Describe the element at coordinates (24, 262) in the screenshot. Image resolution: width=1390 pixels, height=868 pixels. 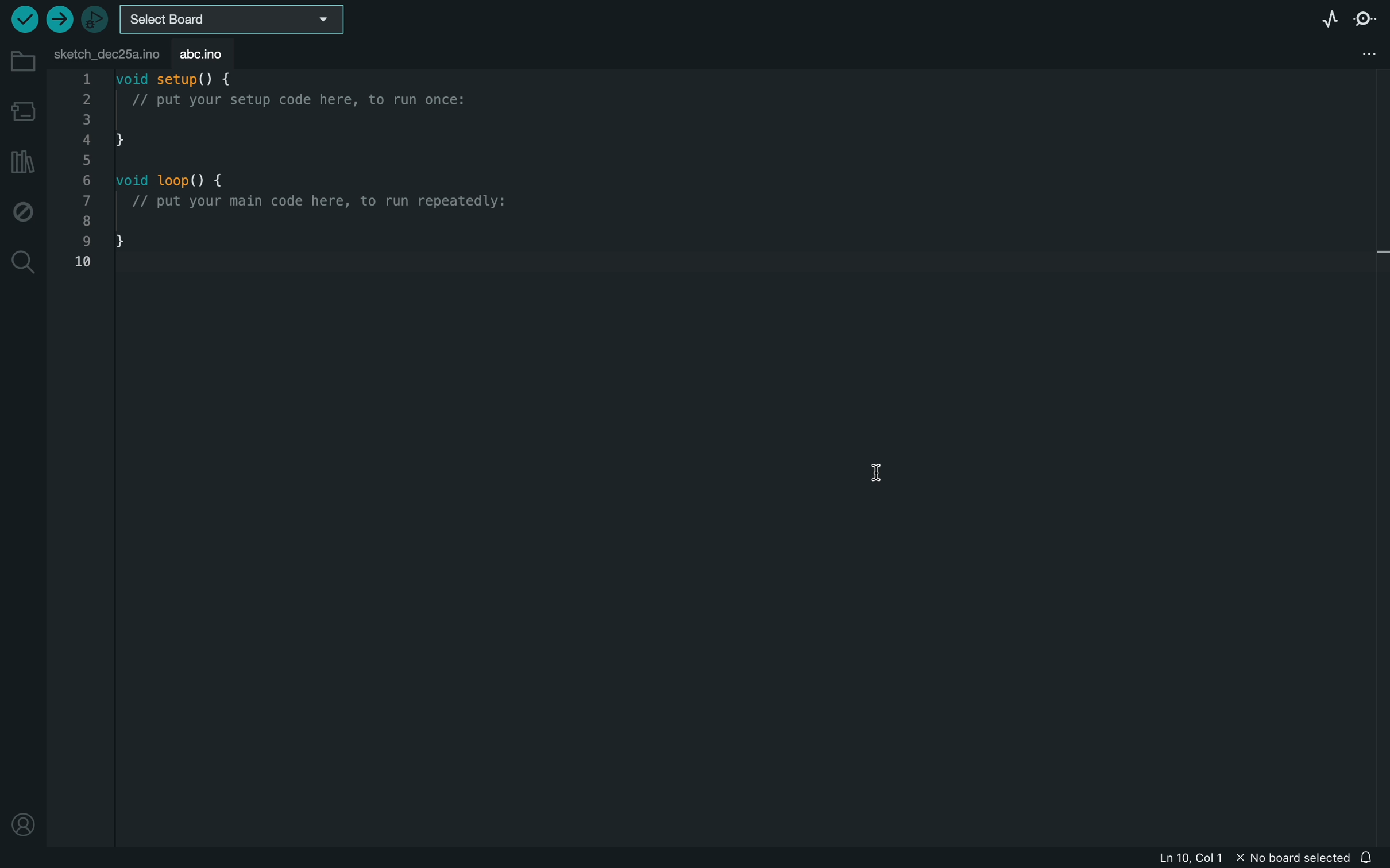
I see `search` at that location.